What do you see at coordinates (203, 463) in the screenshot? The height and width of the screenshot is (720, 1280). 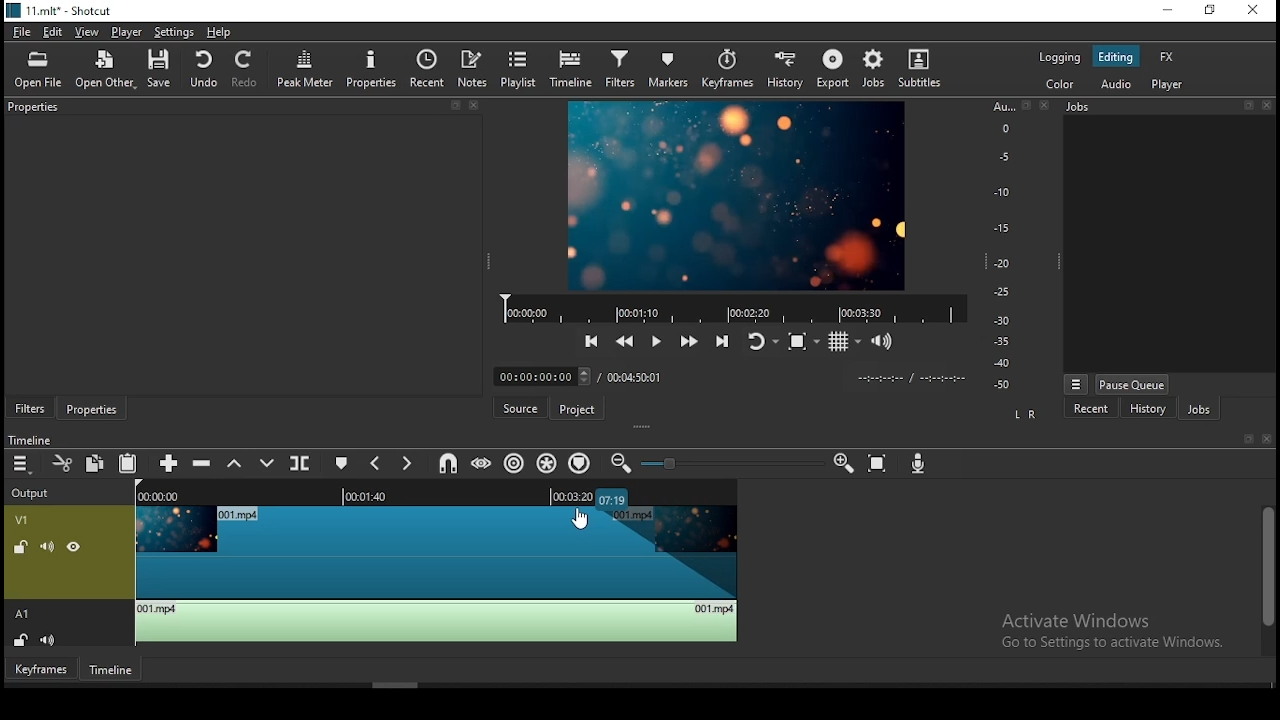 I see `ripple delete` at bounding box center [203, 463].